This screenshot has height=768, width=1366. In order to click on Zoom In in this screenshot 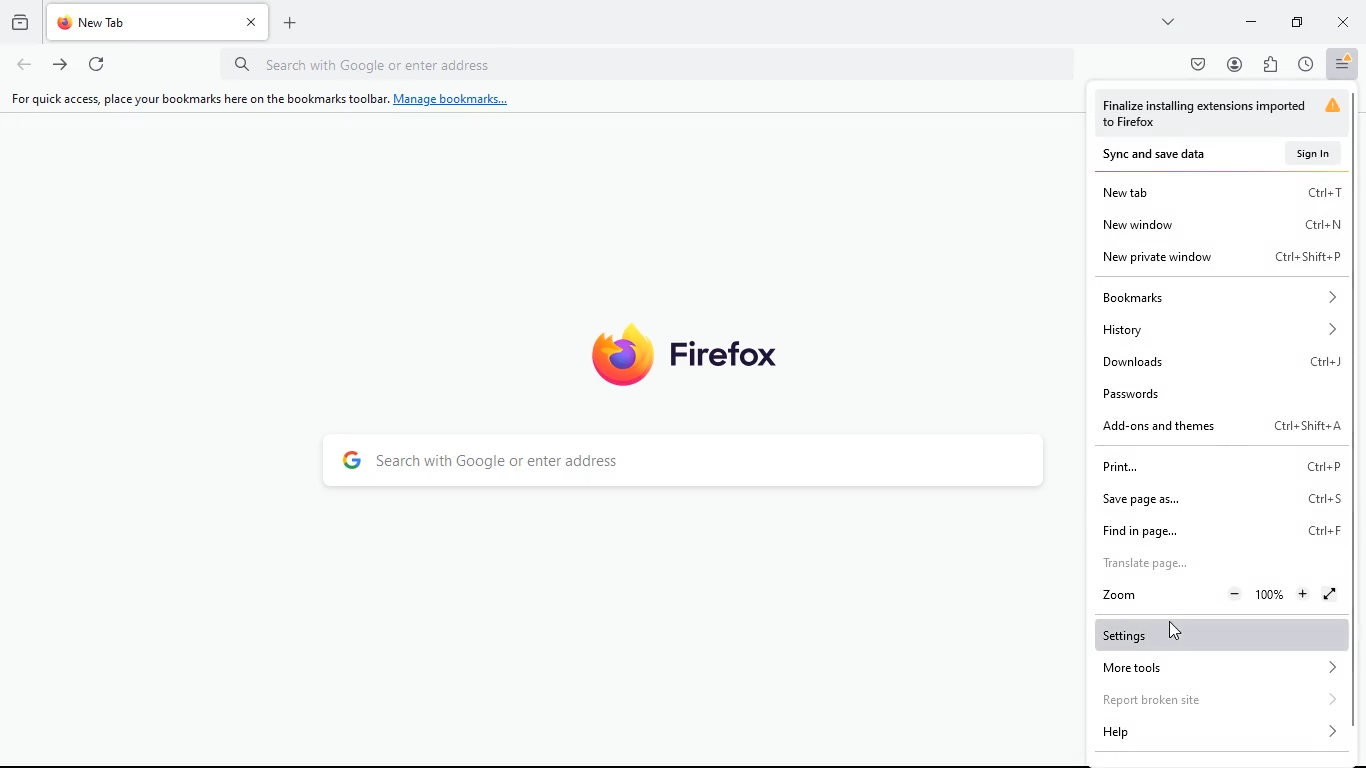, I will do `click(1302, 595)`.